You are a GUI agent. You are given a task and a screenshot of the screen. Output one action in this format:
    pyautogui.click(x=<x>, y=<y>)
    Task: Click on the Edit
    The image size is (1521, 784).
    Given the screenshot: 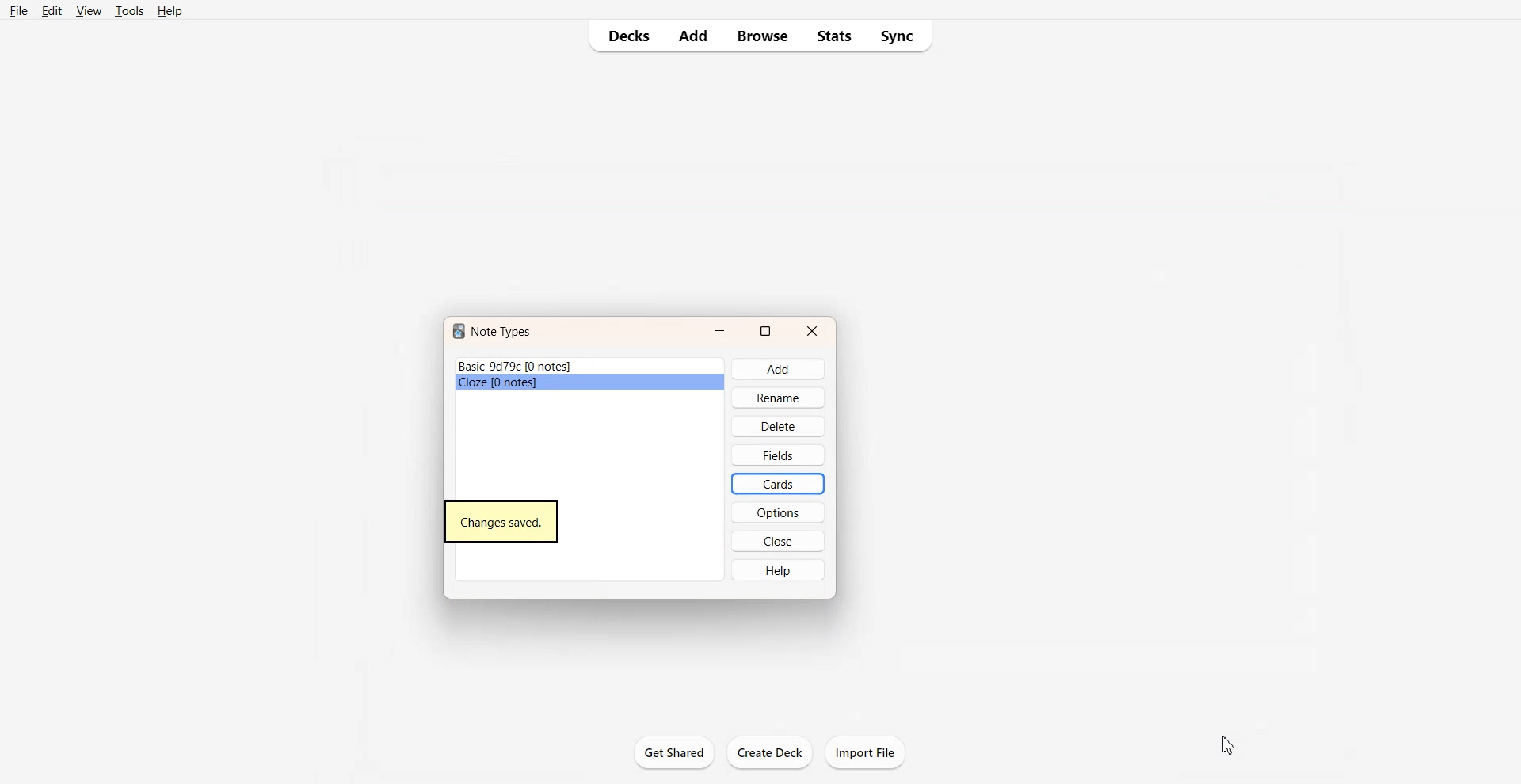 What is the action you would take?
    pyautogui.click(x=51, y=10)
    